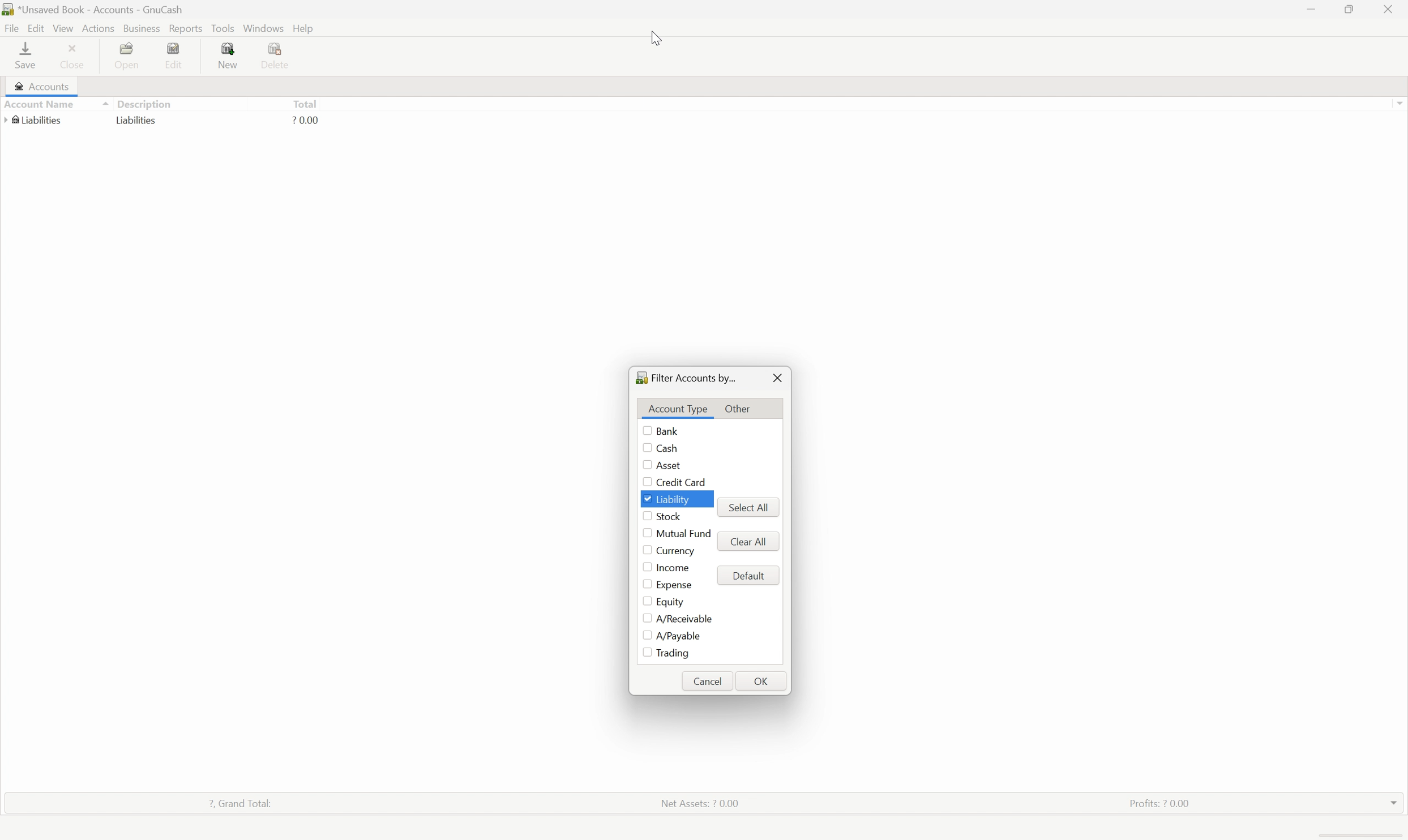 The height and width of the screenshot is (840, 1408). I want to click on Description, so click(140, 103).